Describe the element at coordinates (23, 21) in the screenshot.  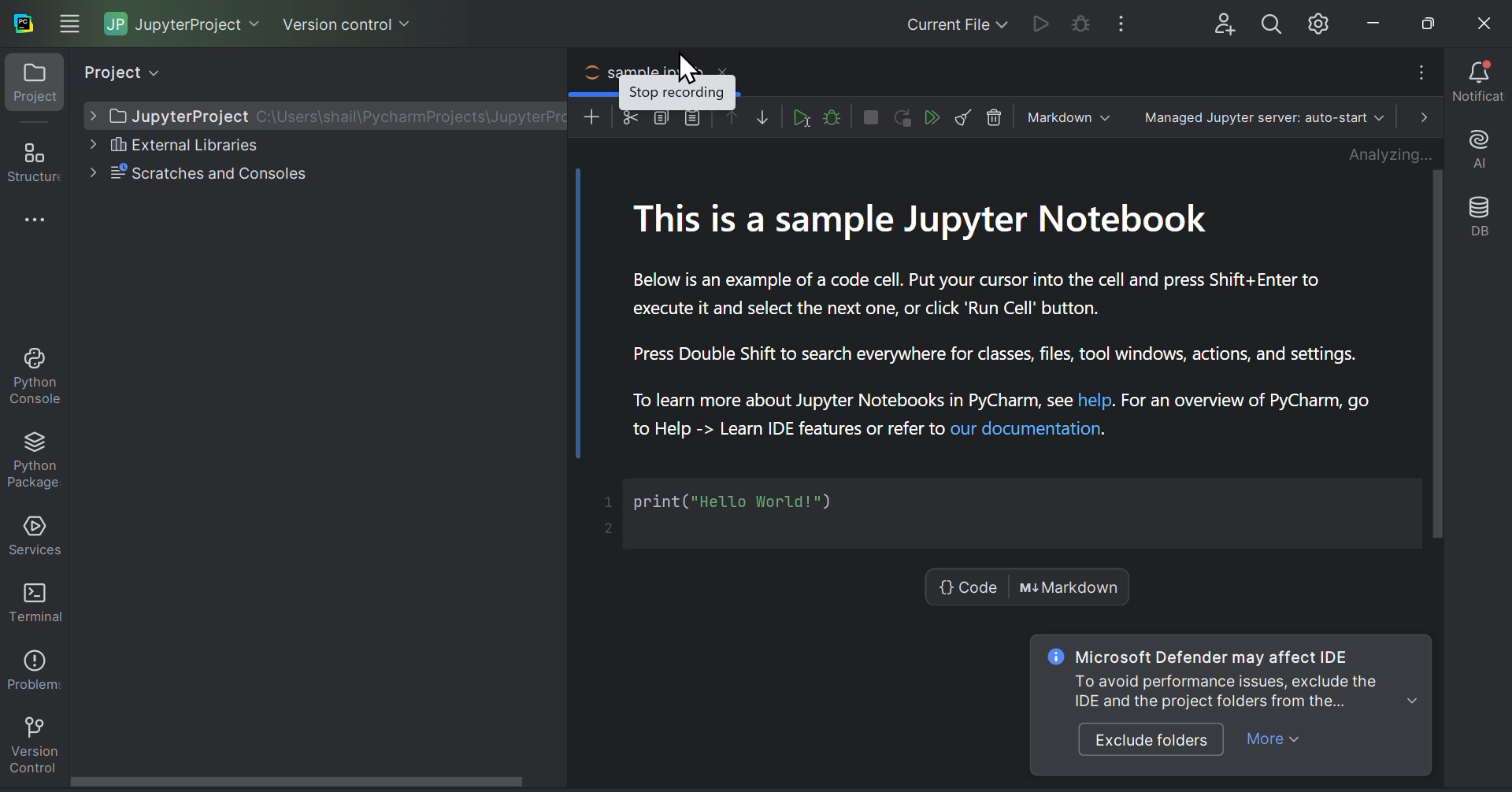
I see `py charm` at that location.